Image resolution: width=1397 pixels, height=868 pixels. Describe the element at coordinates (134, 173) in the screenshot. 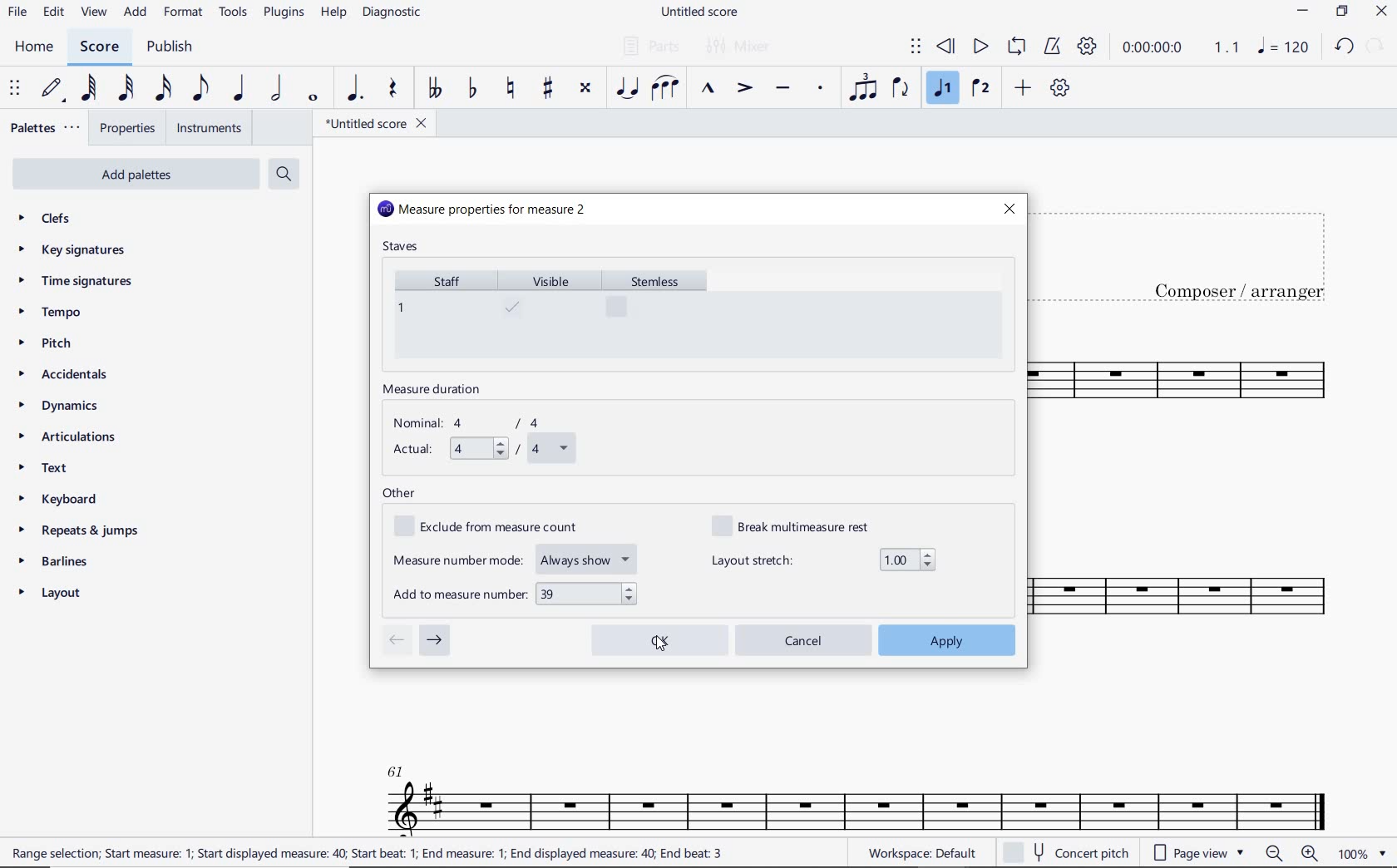

I see `ADD PALETTES` at that location.